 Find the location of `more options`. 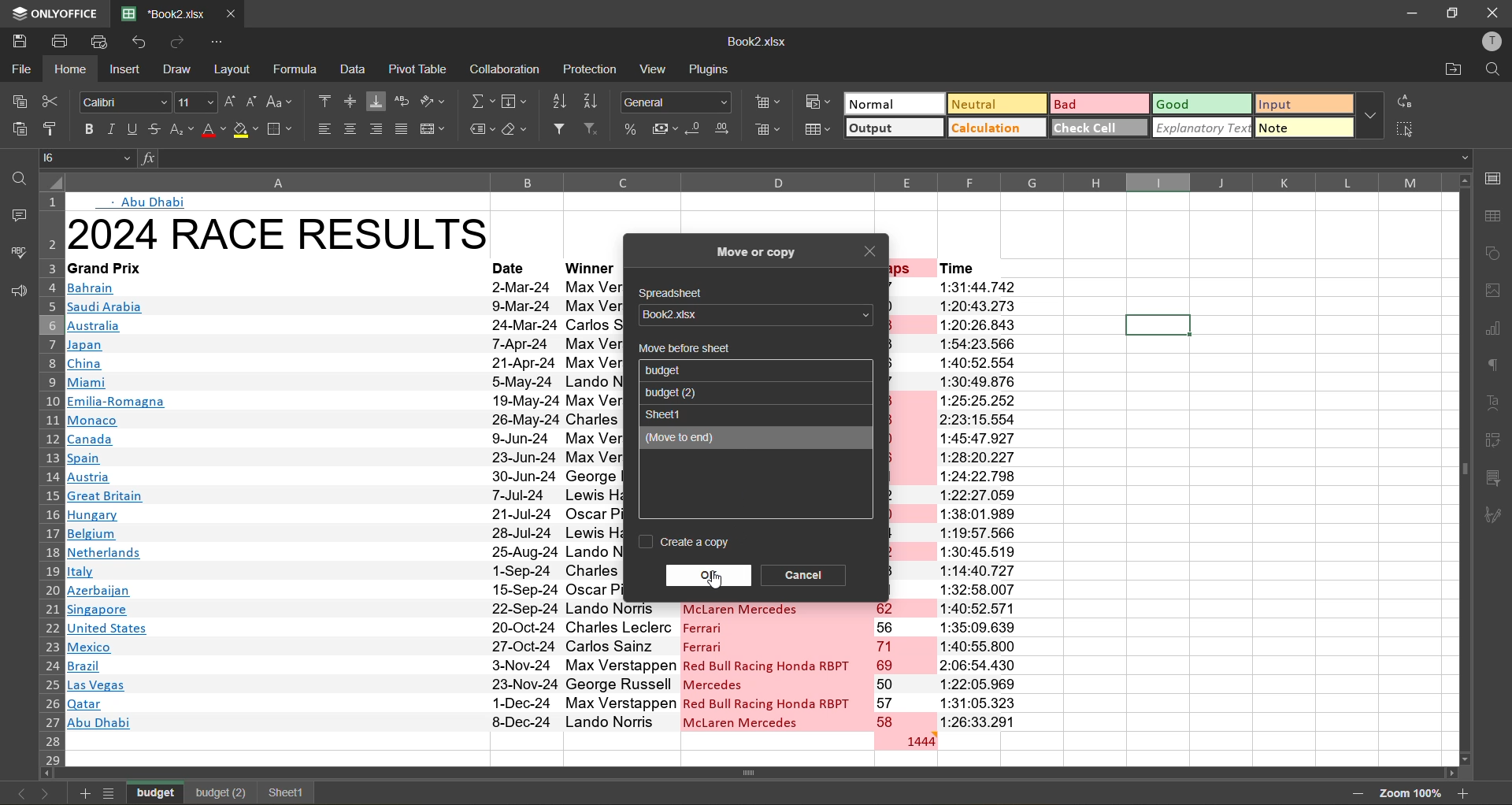

more options is located at coordinates (1369, 116).